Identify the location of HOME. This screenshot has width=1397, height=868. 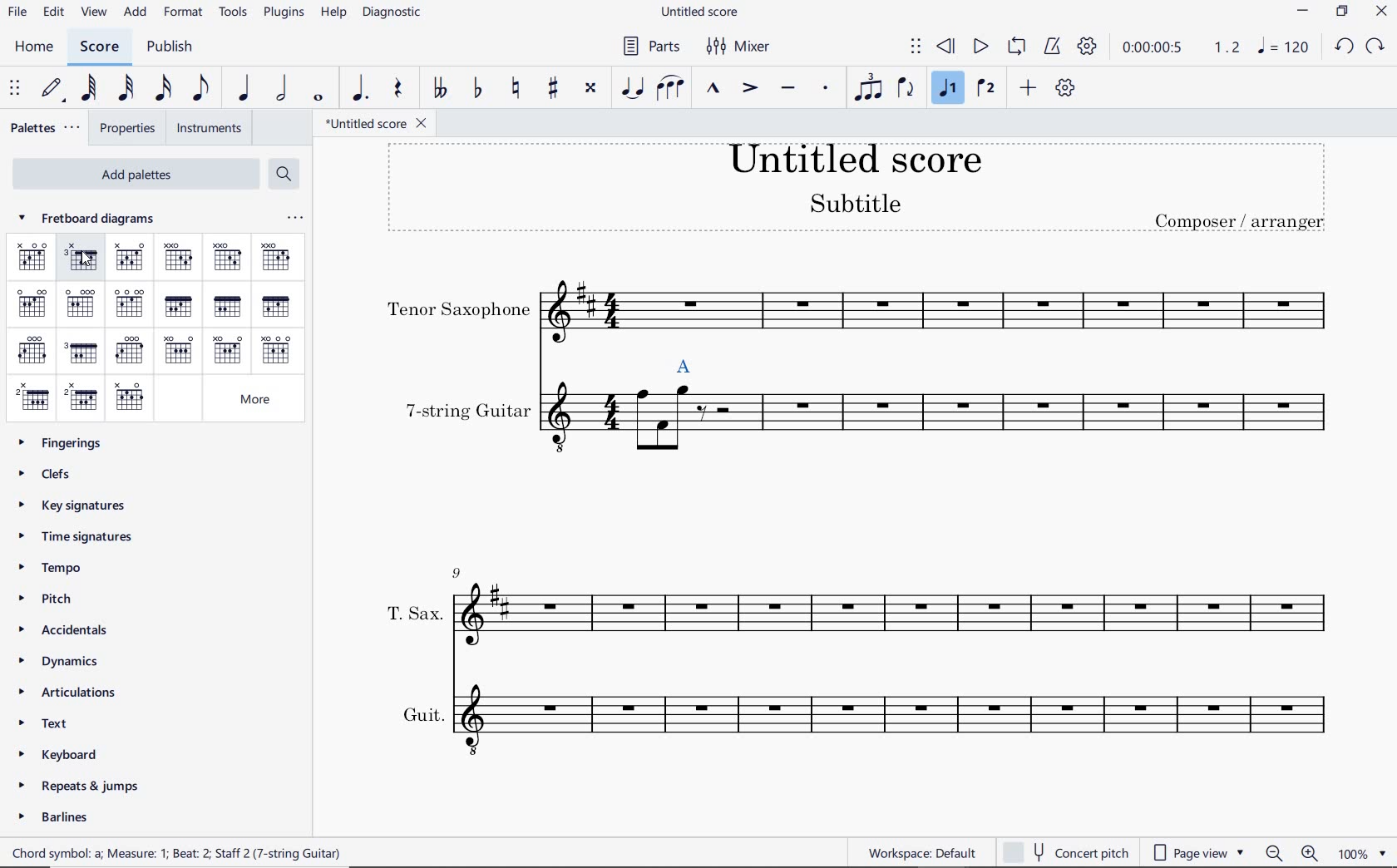
(35, 47).